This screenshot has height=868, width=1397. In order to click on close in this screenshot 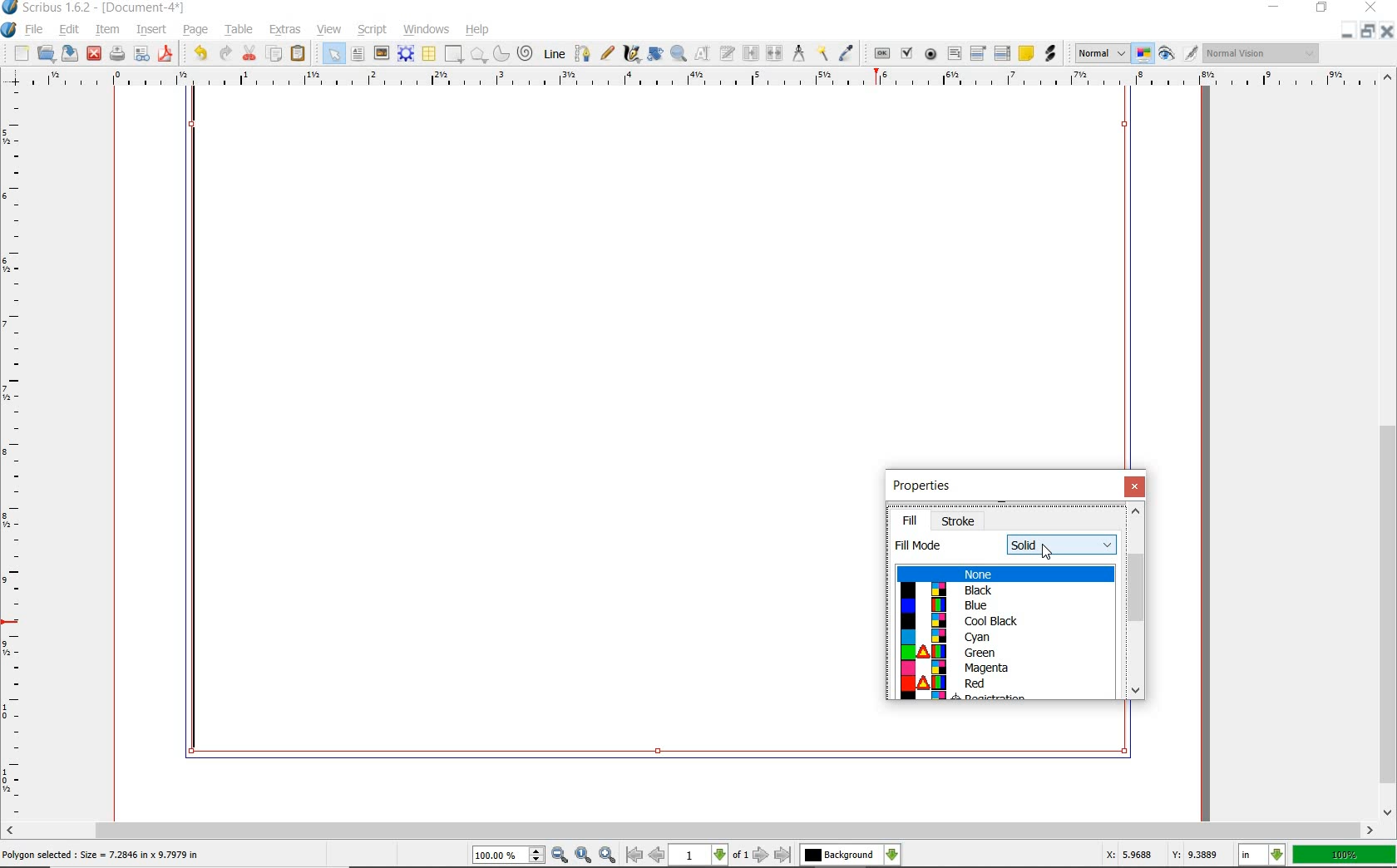, I will do `click(1370, 8)`.